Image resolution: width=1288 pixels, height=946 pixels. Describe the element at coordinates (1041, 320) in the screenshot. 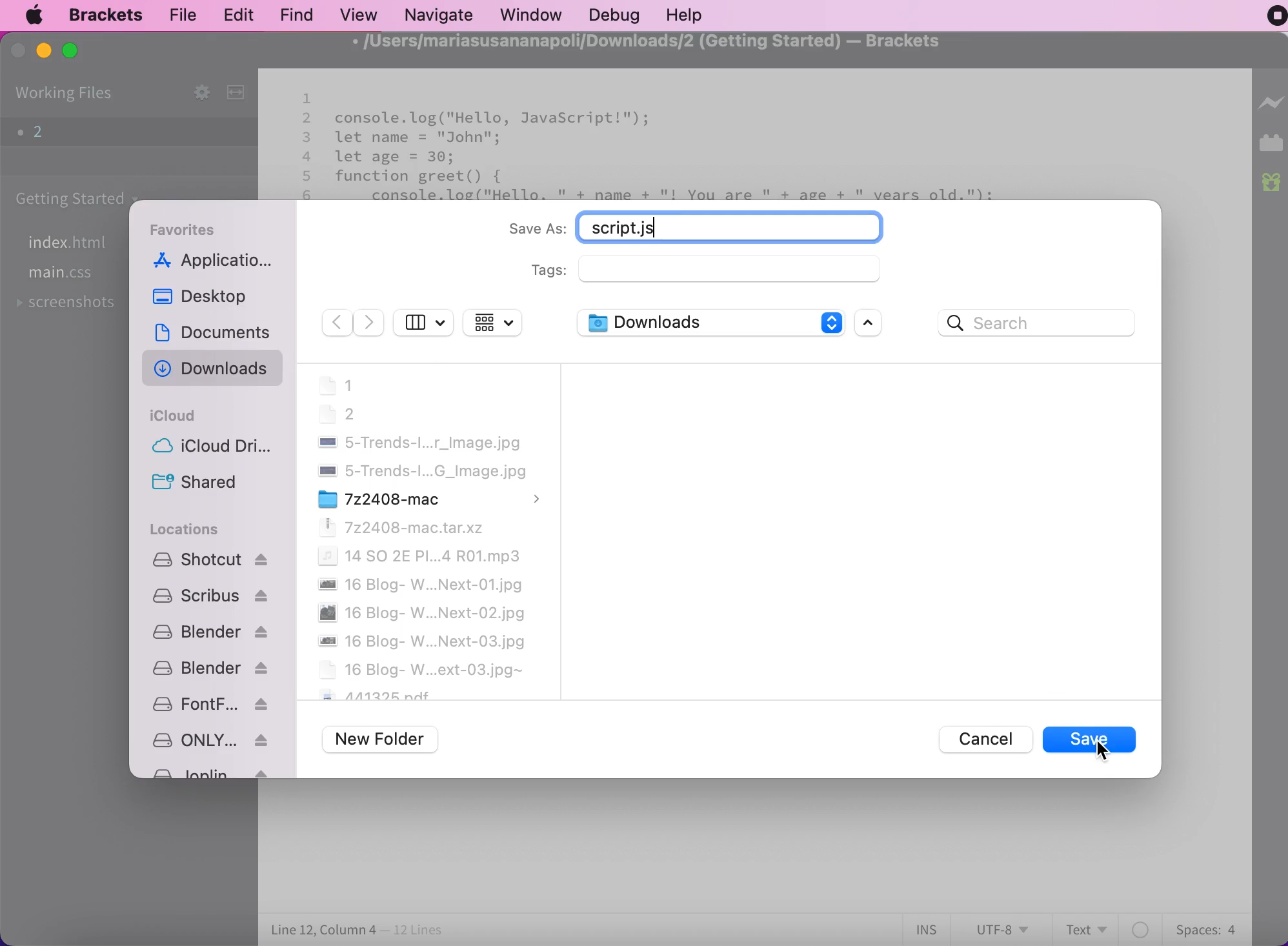

I see `search` at that location.